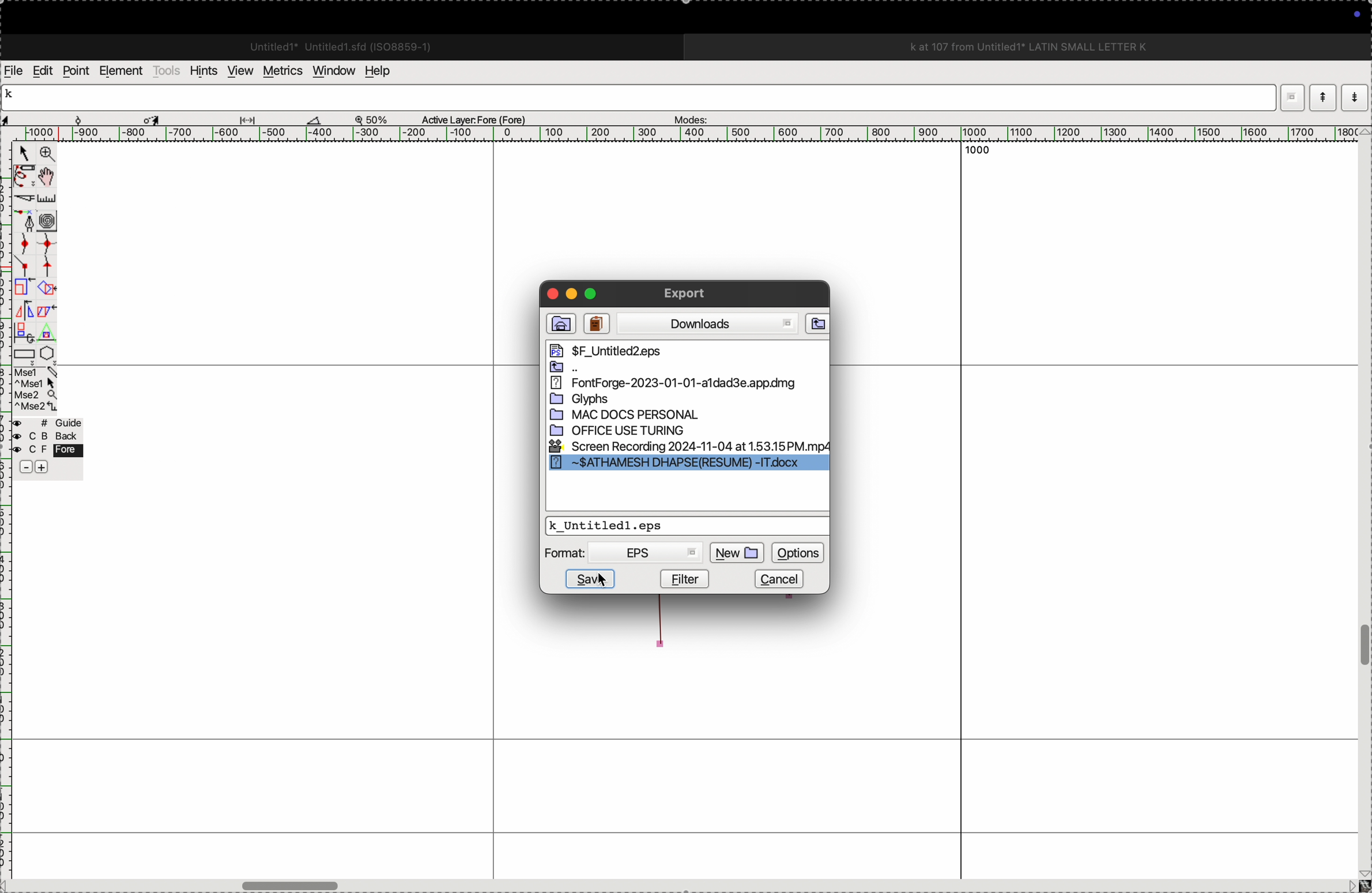 This screenshot has height=893, width=1372. Describe the element at coordinates (14, 96) in the screenshot. I see `K` at that location.